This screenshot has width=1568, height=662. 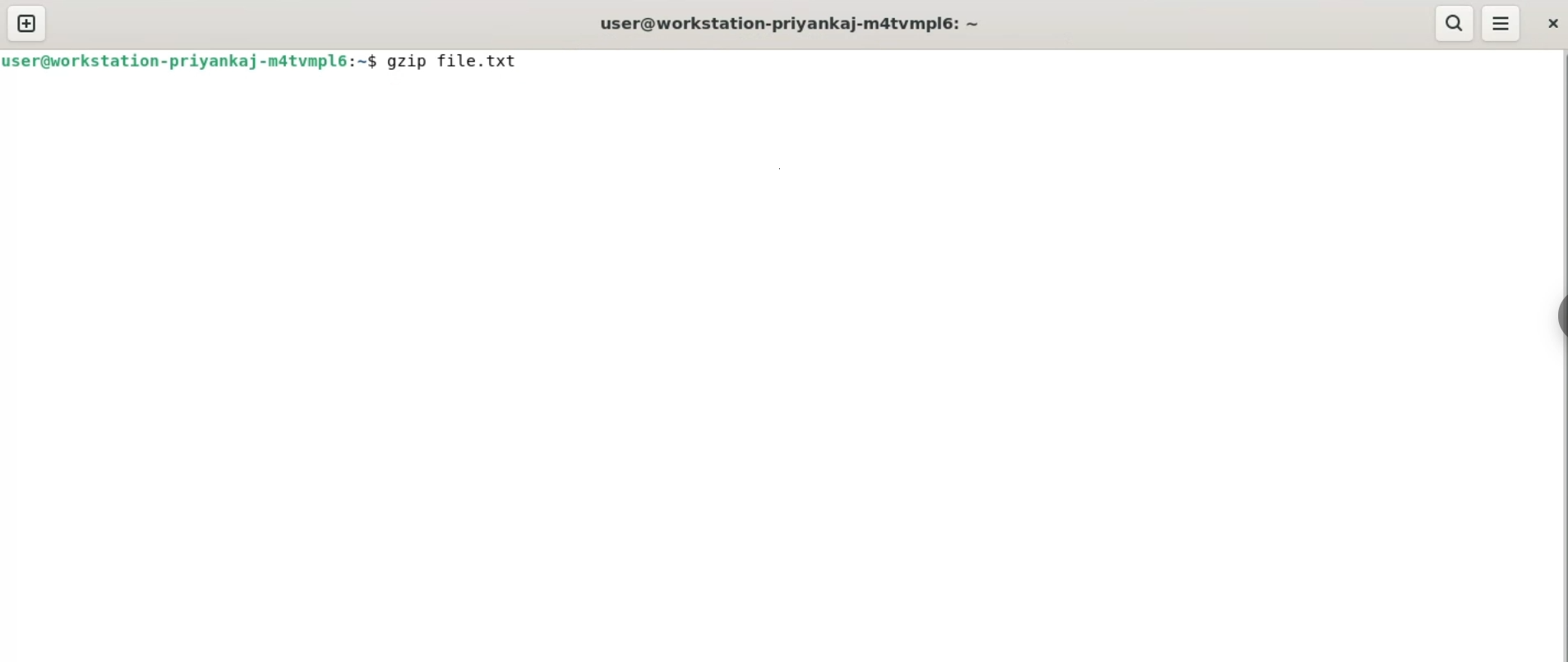 What do you see at coordinates (1554, 24) in the screenshot?
I see `close` at bounding box center [1554, 24].